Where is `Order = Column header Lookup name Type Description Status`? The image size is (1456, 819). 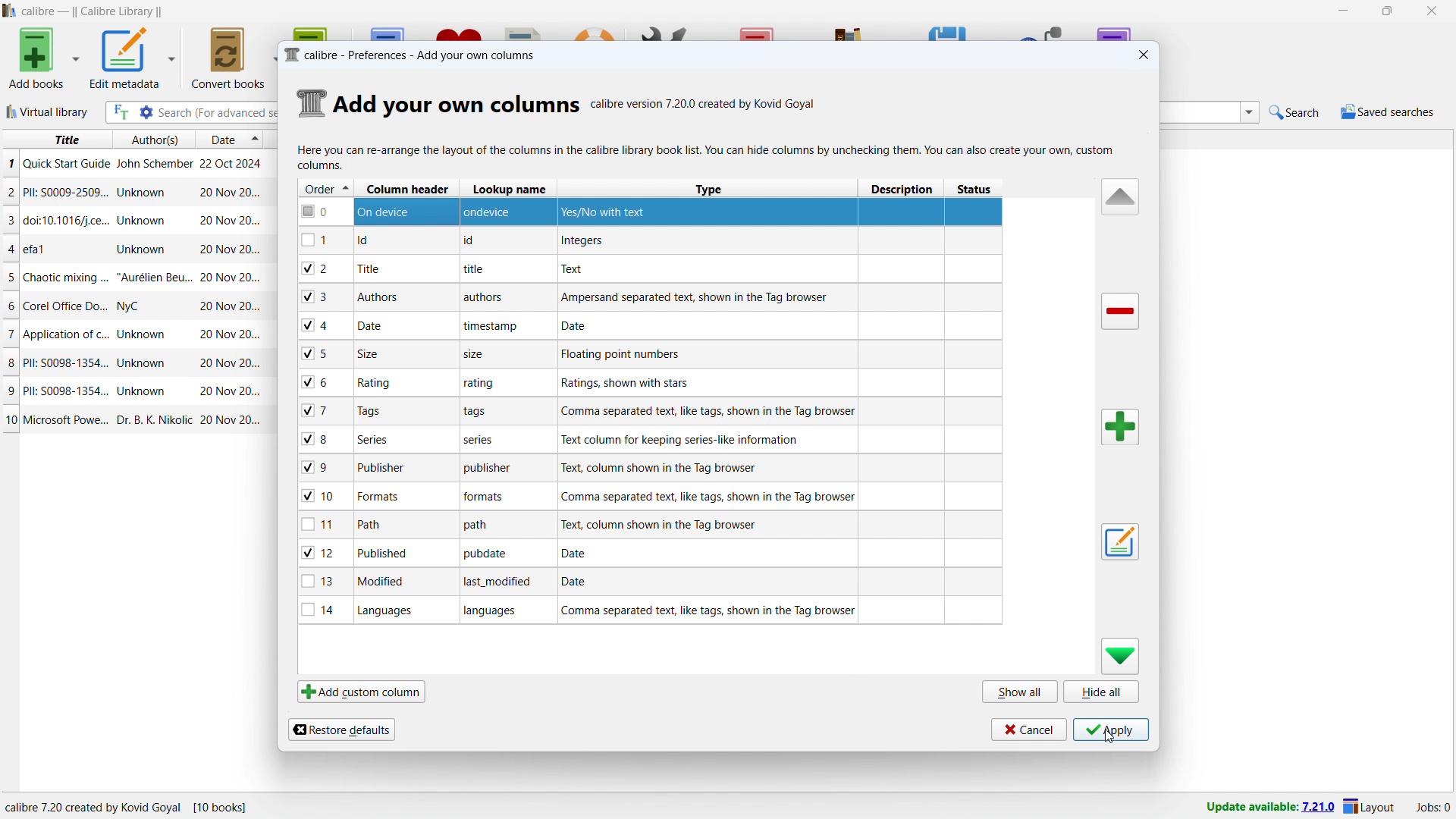
Order = Column header Lookup name Type Description Status is located at coordinates (651, 188).